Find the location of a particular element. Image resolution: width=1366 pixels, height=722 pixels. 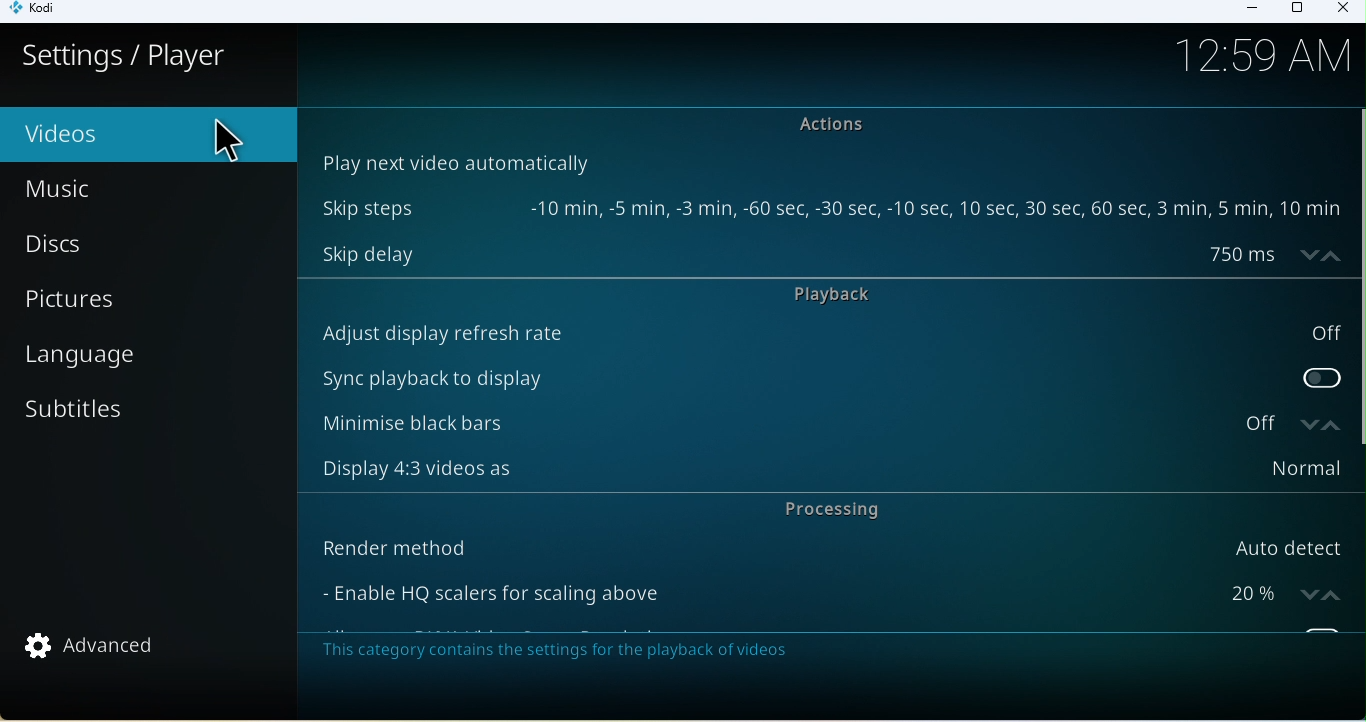

Skip steps is located at coordinates (828, 209).